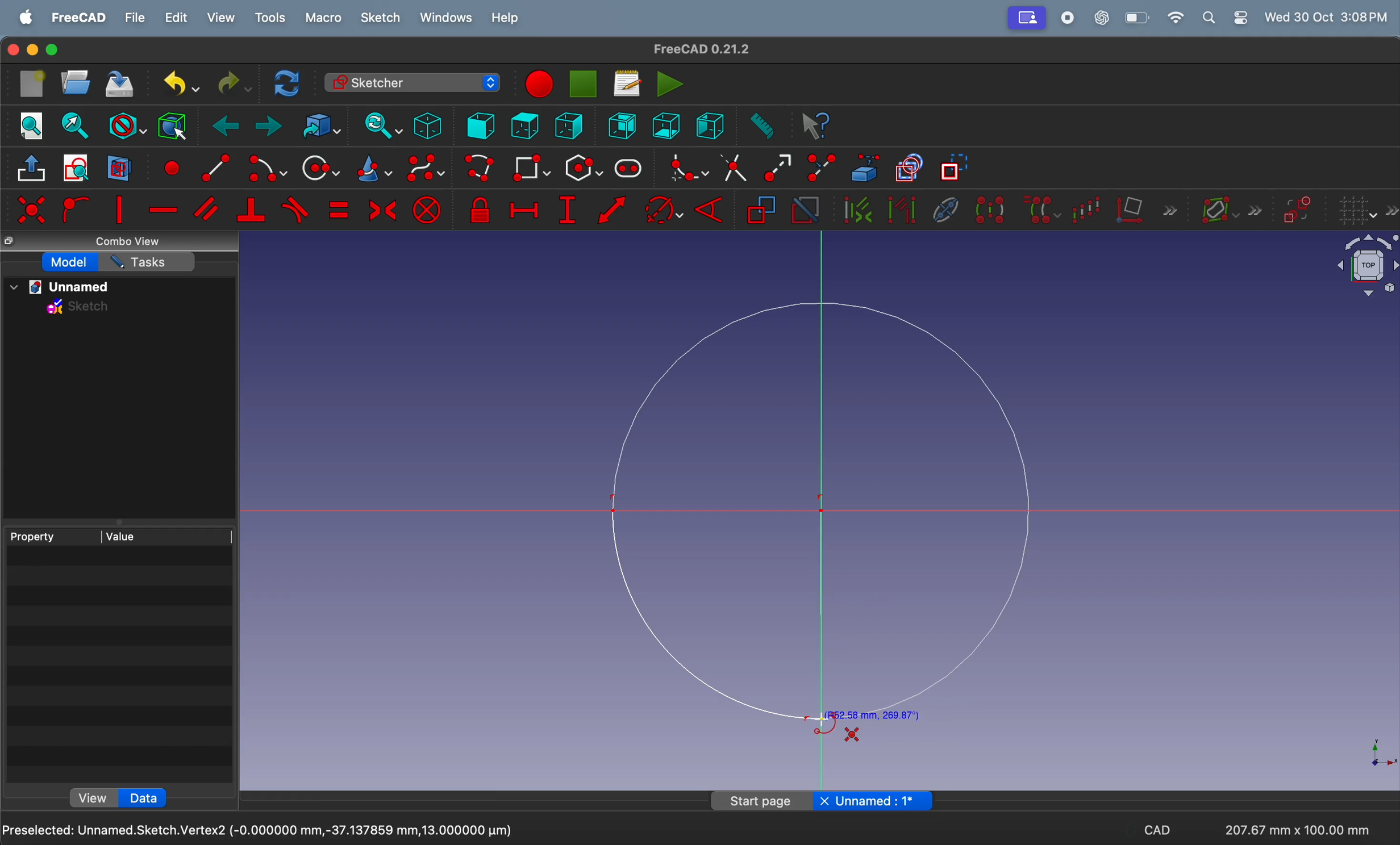 Image resolution: width=1400 pixels, height=845 pixels. I want to click on stop marco, so click(537, 84).